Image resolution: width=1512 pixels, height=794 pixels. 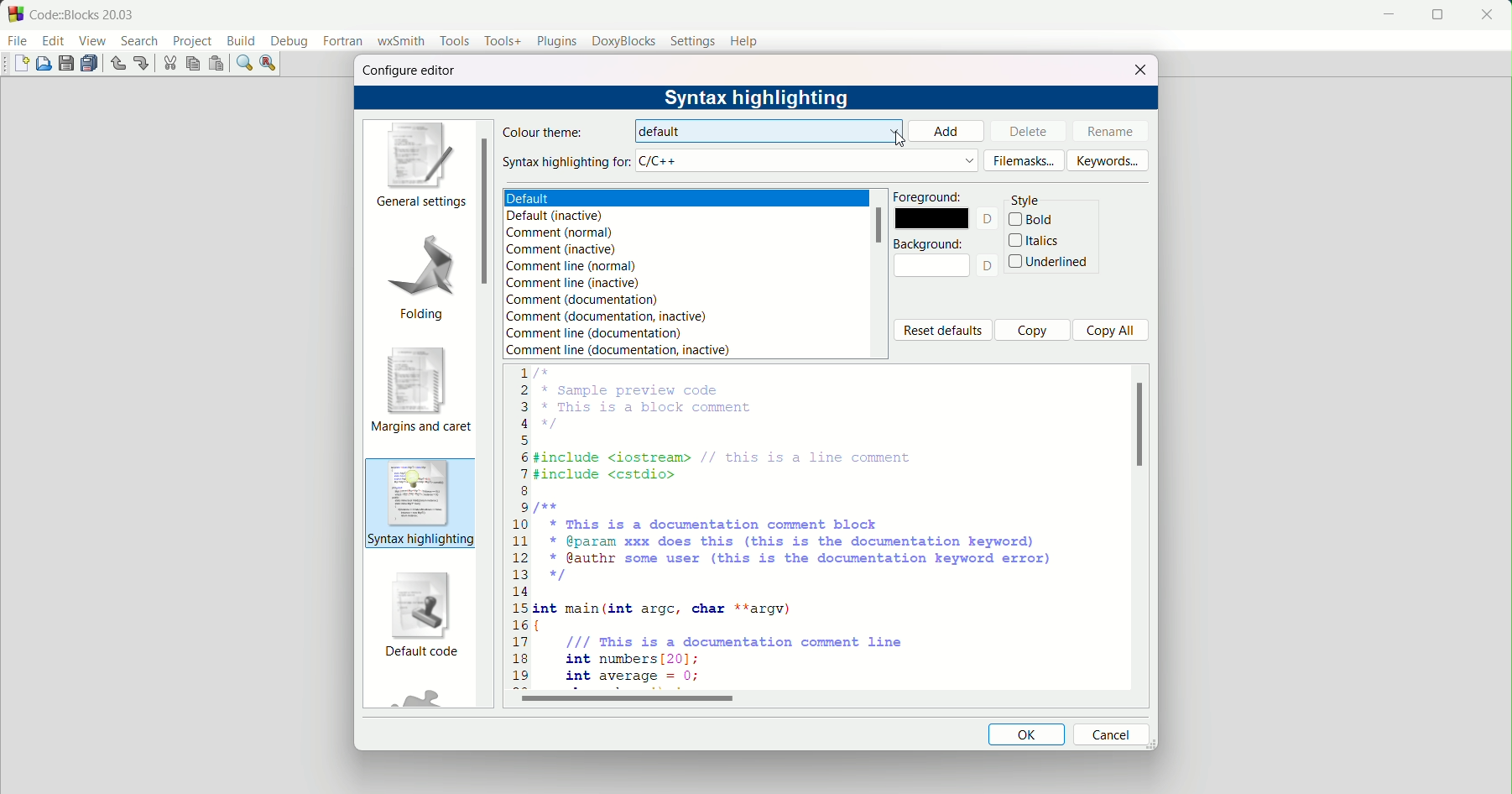 I want to click on filemasks, so click(x=1025, y=160).